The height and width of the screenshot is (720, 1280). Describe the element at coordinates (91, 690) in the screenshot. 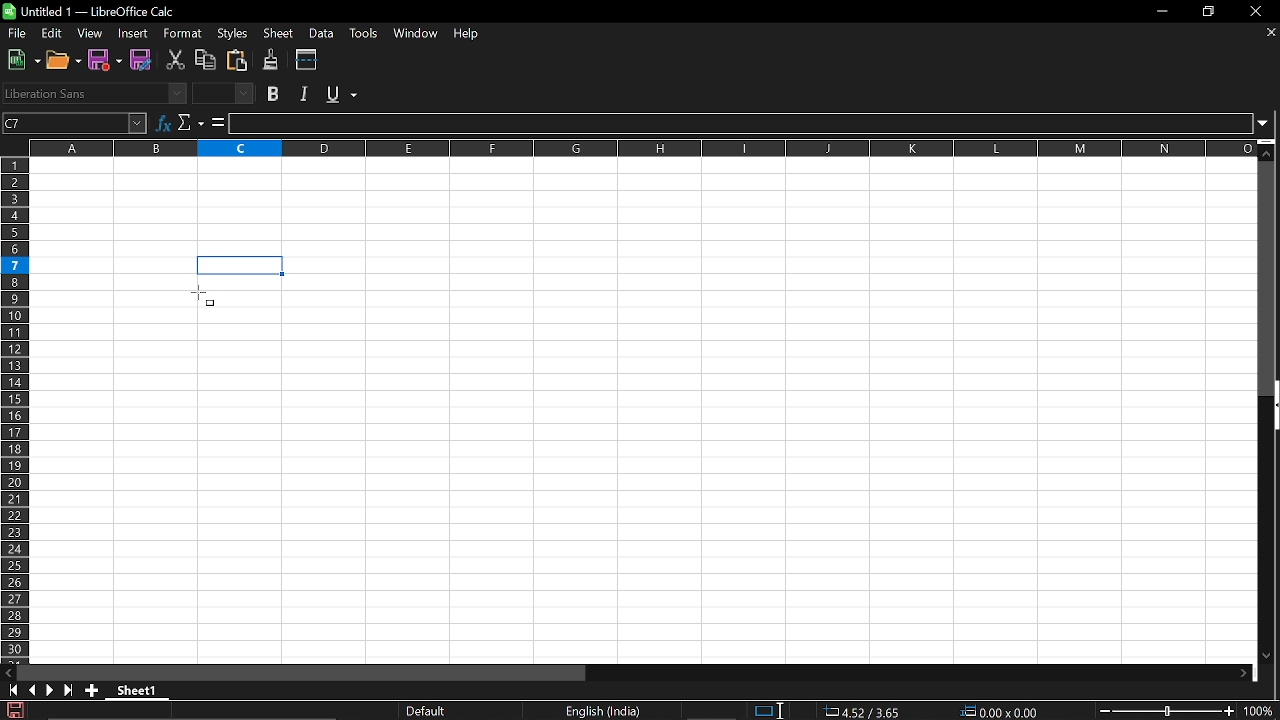

I see `Add sheet` at that location.